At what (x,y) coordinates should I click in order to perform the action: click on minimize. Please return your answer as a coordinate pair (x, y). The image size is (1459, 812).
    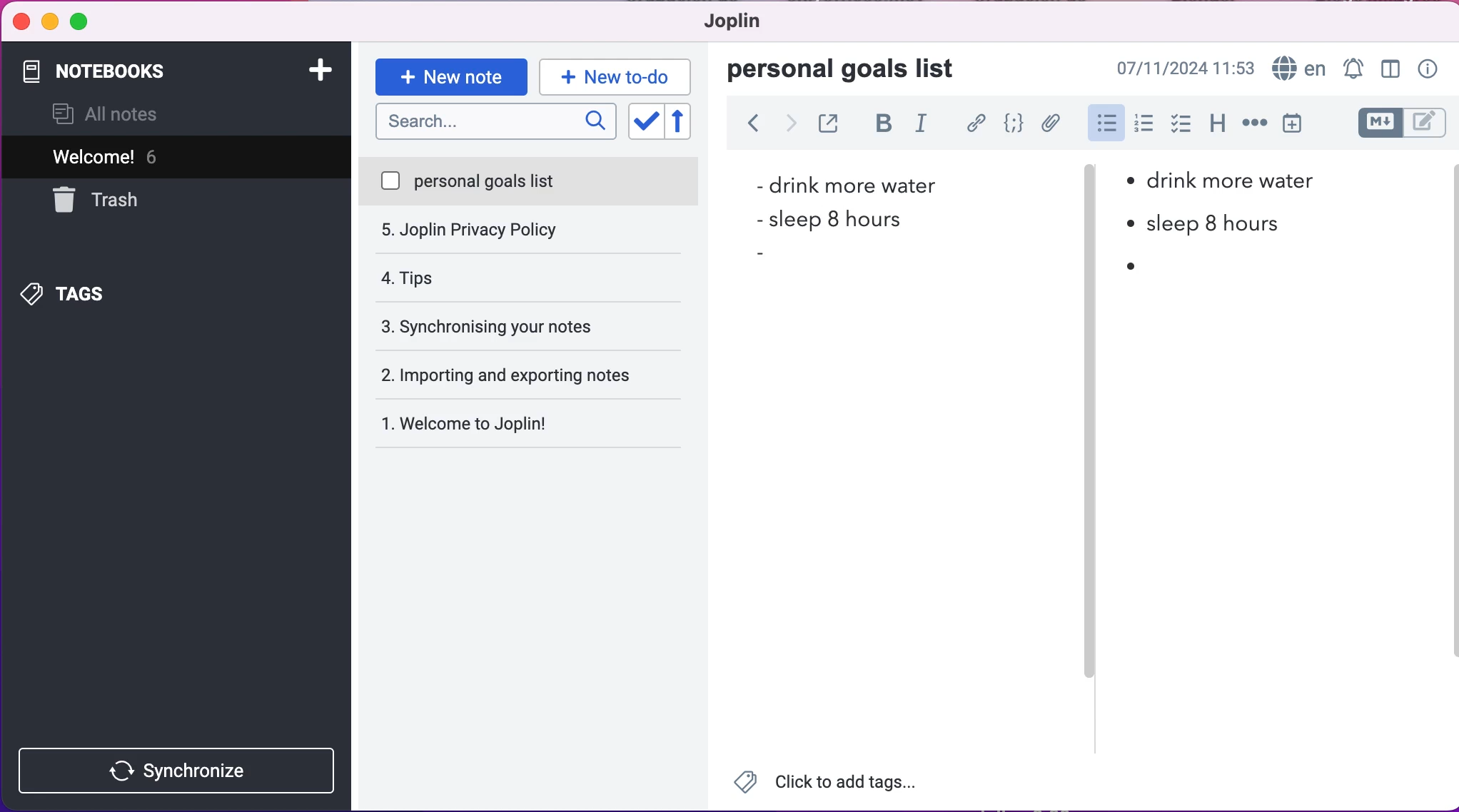
    Looking at the image, I should click on (49, 22).